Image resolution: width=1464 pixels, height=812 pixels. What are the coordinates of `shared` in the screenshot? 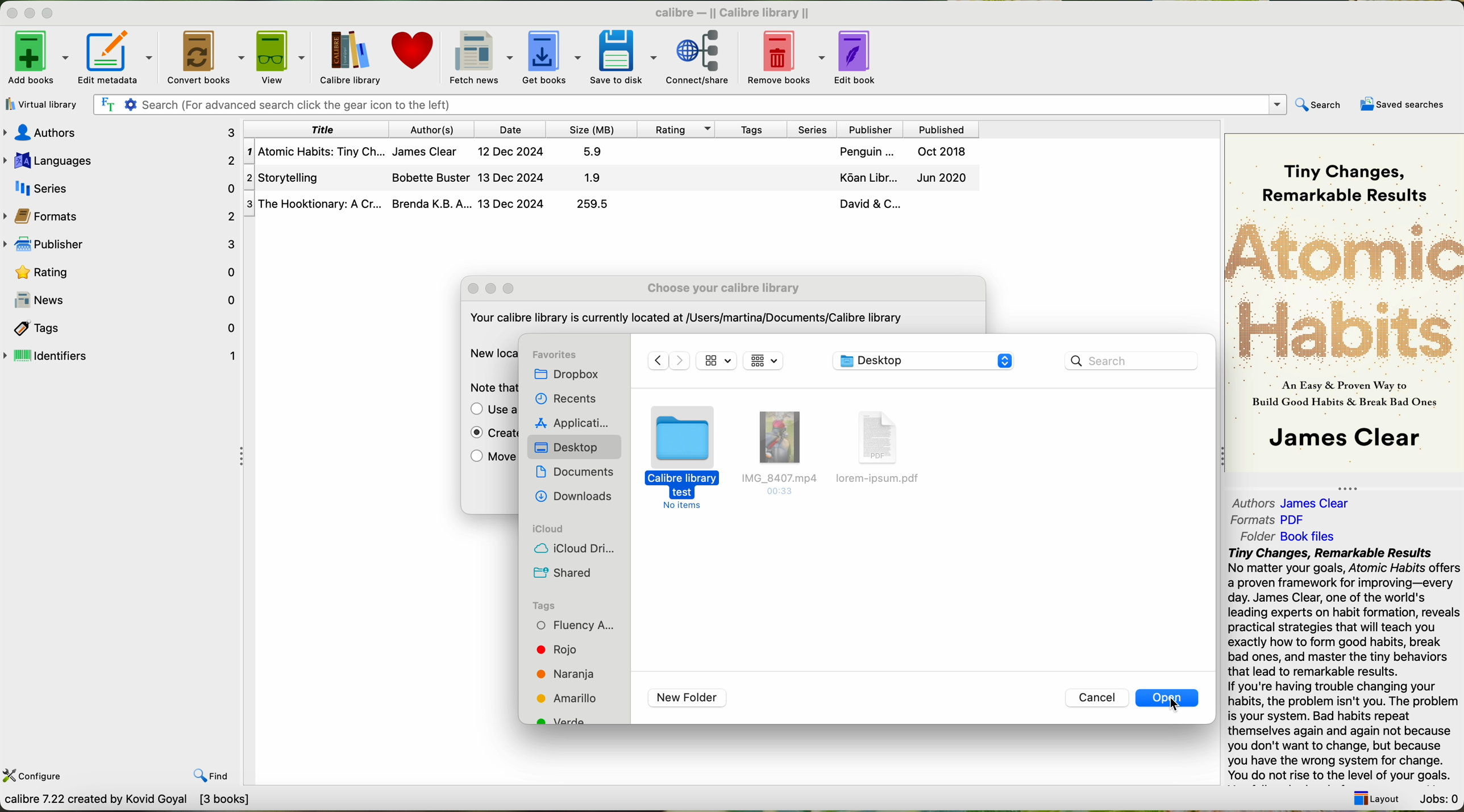 It's located at (562, 571).